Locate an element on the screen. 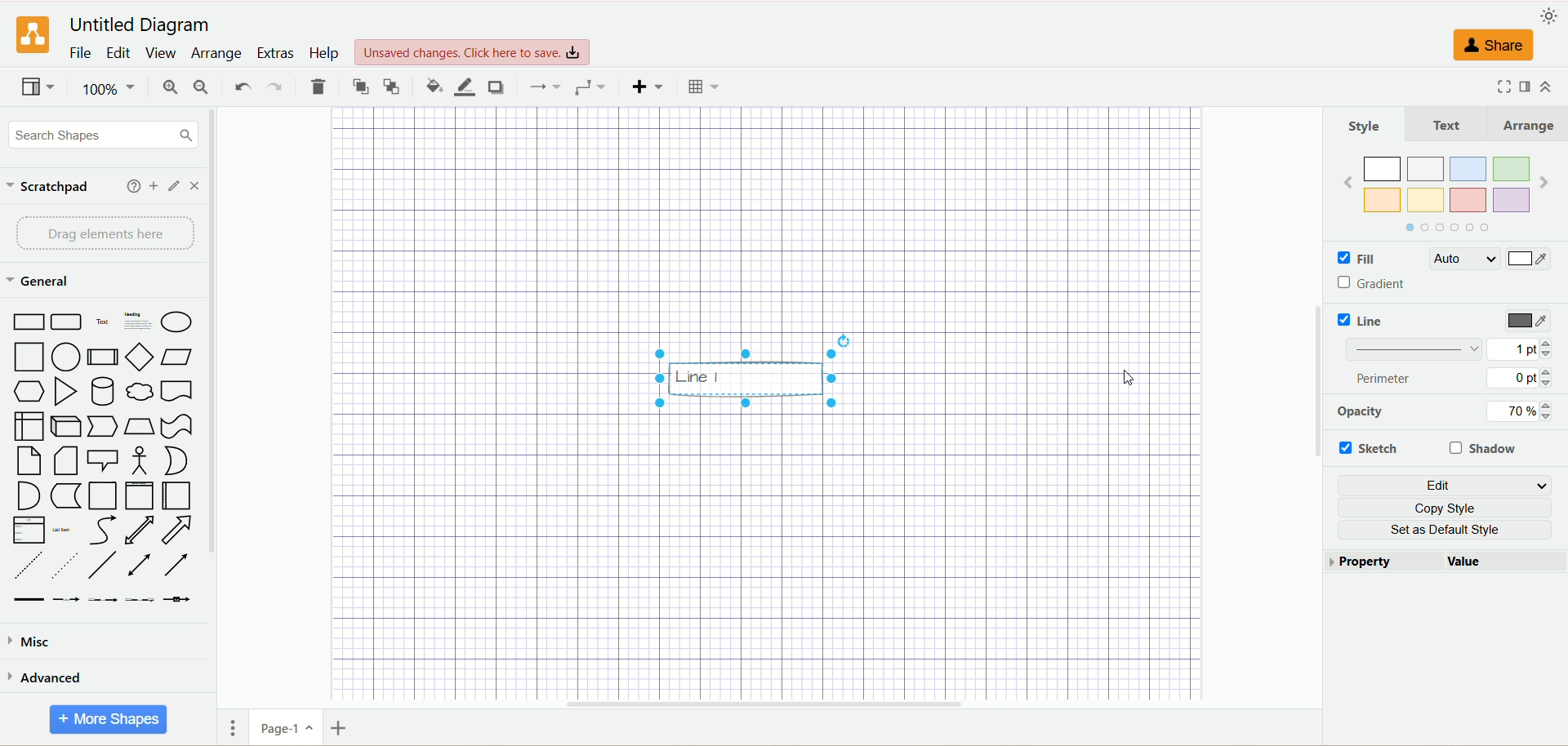  Tape is located at coordinates (176, 426).